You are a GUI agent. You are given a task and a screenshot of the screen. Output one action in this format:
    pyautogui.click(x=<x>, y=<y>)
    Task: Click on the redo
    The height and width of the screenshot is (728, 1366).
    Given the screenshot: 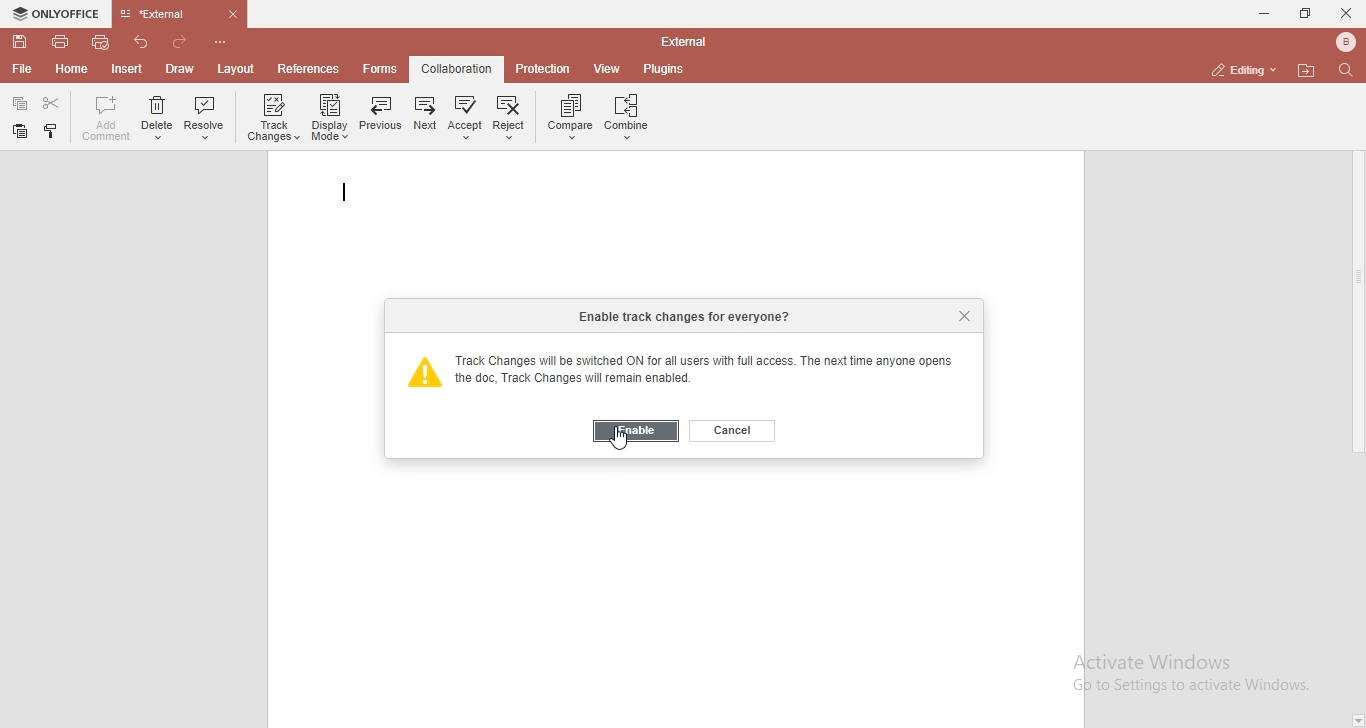 What is the action you would take?
    pyautogui.click(x=180, y=42)
    